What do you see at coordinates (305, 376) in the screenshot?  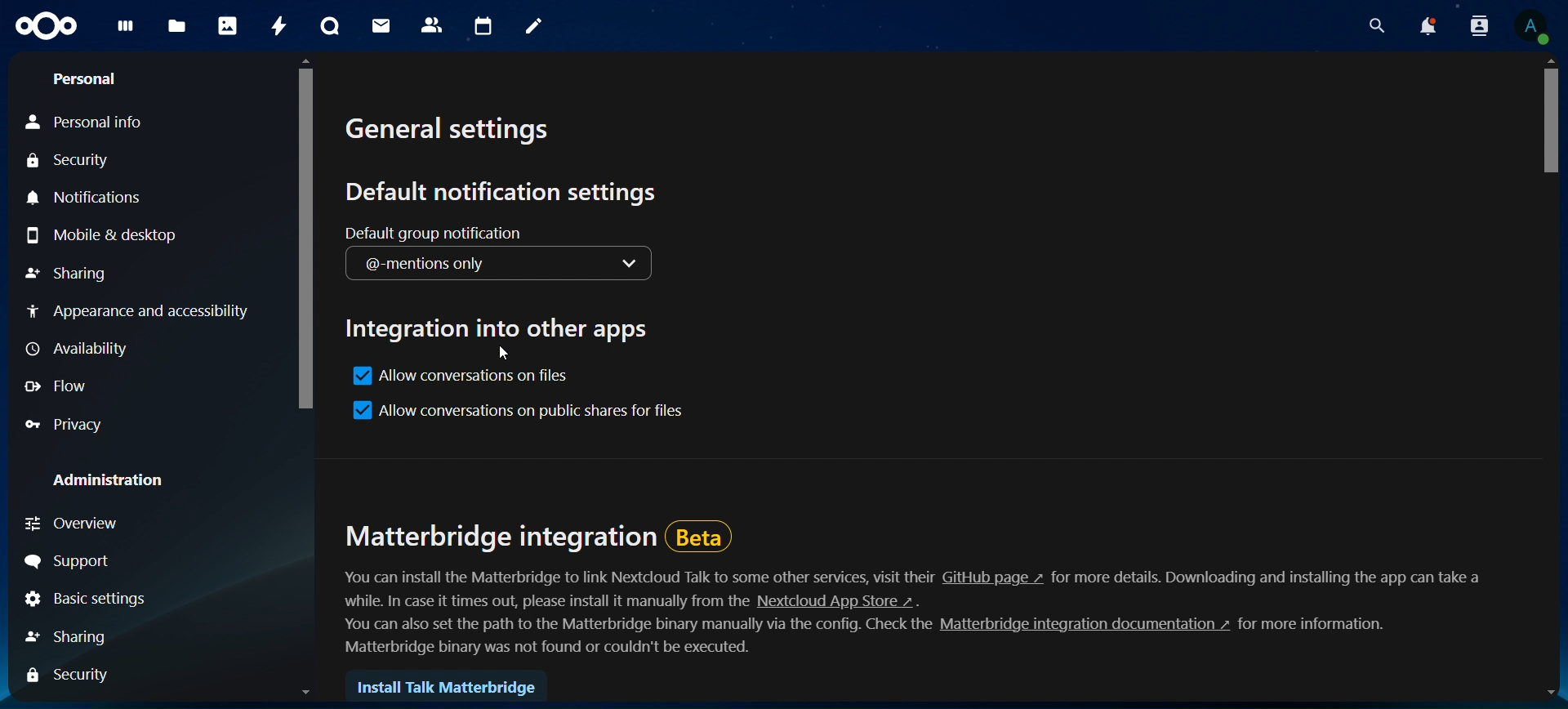 I see `scroll bar` at bounding box center [305, 376].